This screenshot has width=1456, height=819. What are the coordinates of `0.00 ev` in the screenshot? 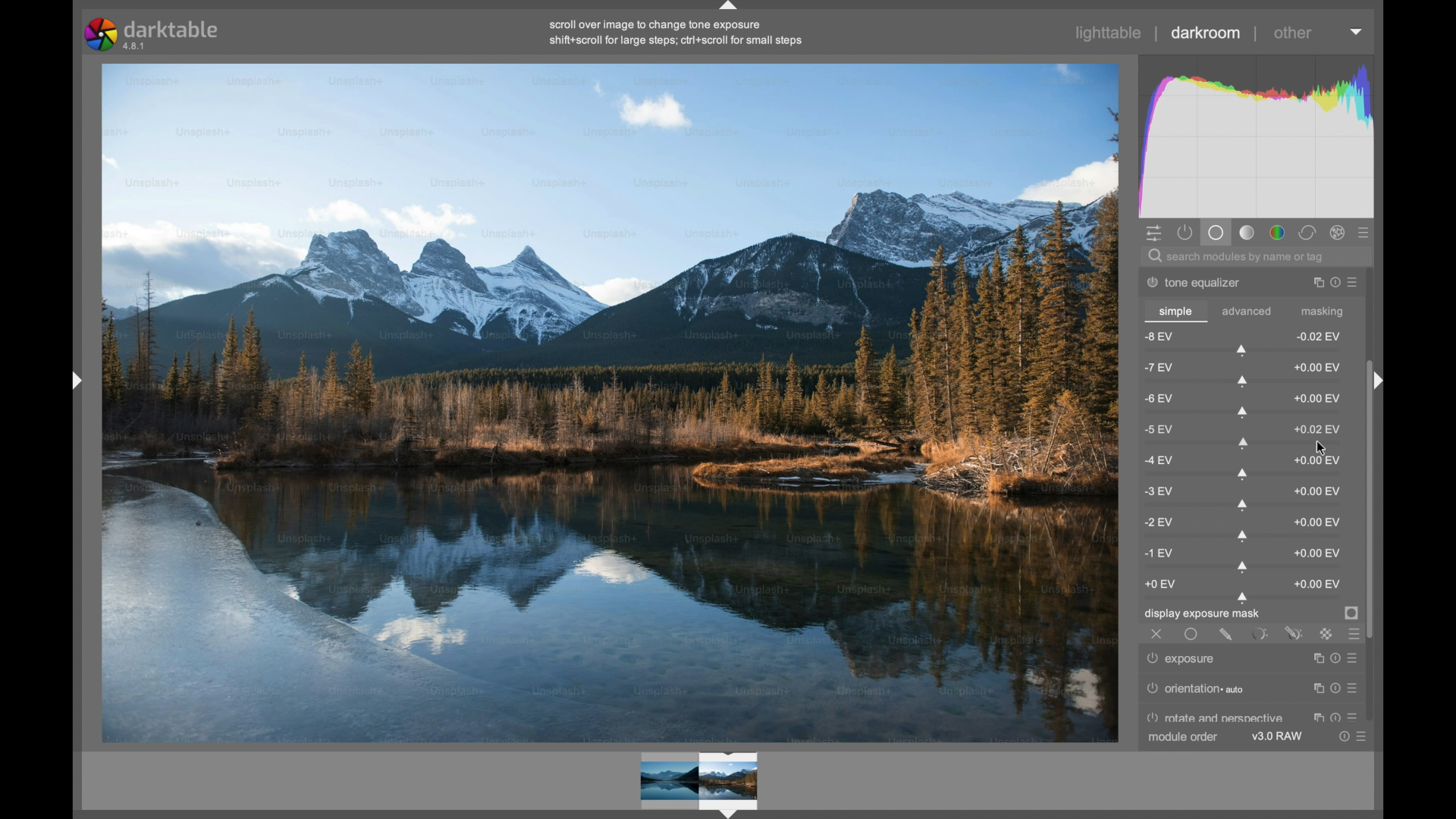 It's located at (1316, 491).